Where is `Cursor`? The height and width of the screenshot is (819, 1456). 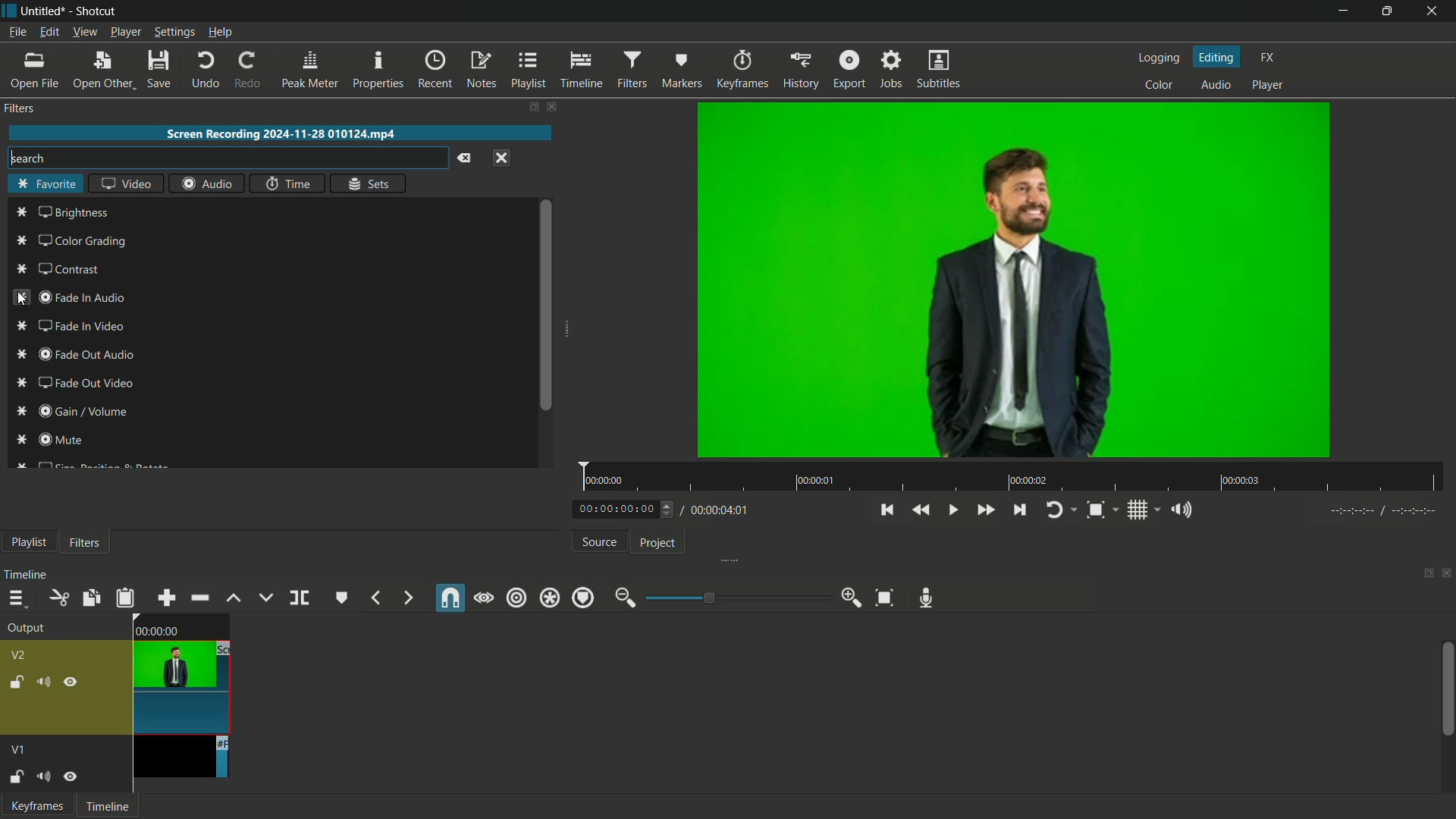 Cursor is located at coordinates (20, 301).